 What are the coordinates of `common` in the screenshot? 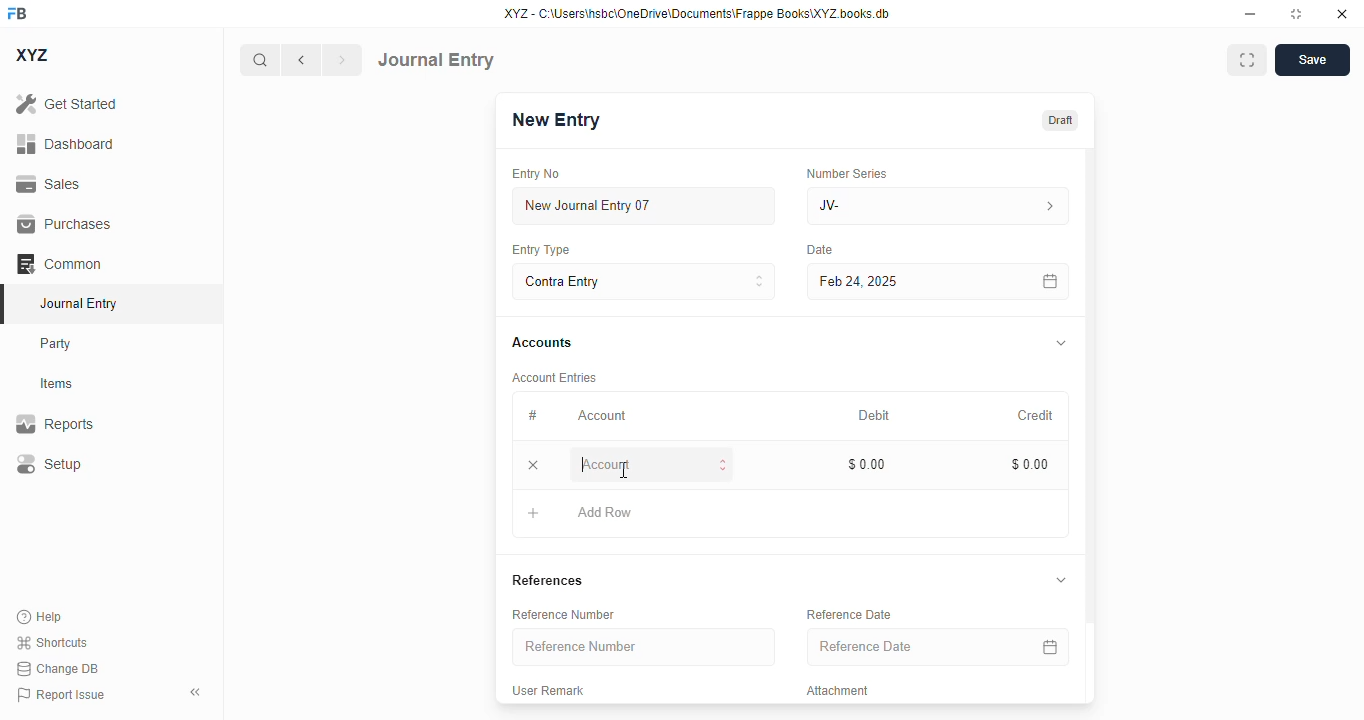 It's located at (59, 263).